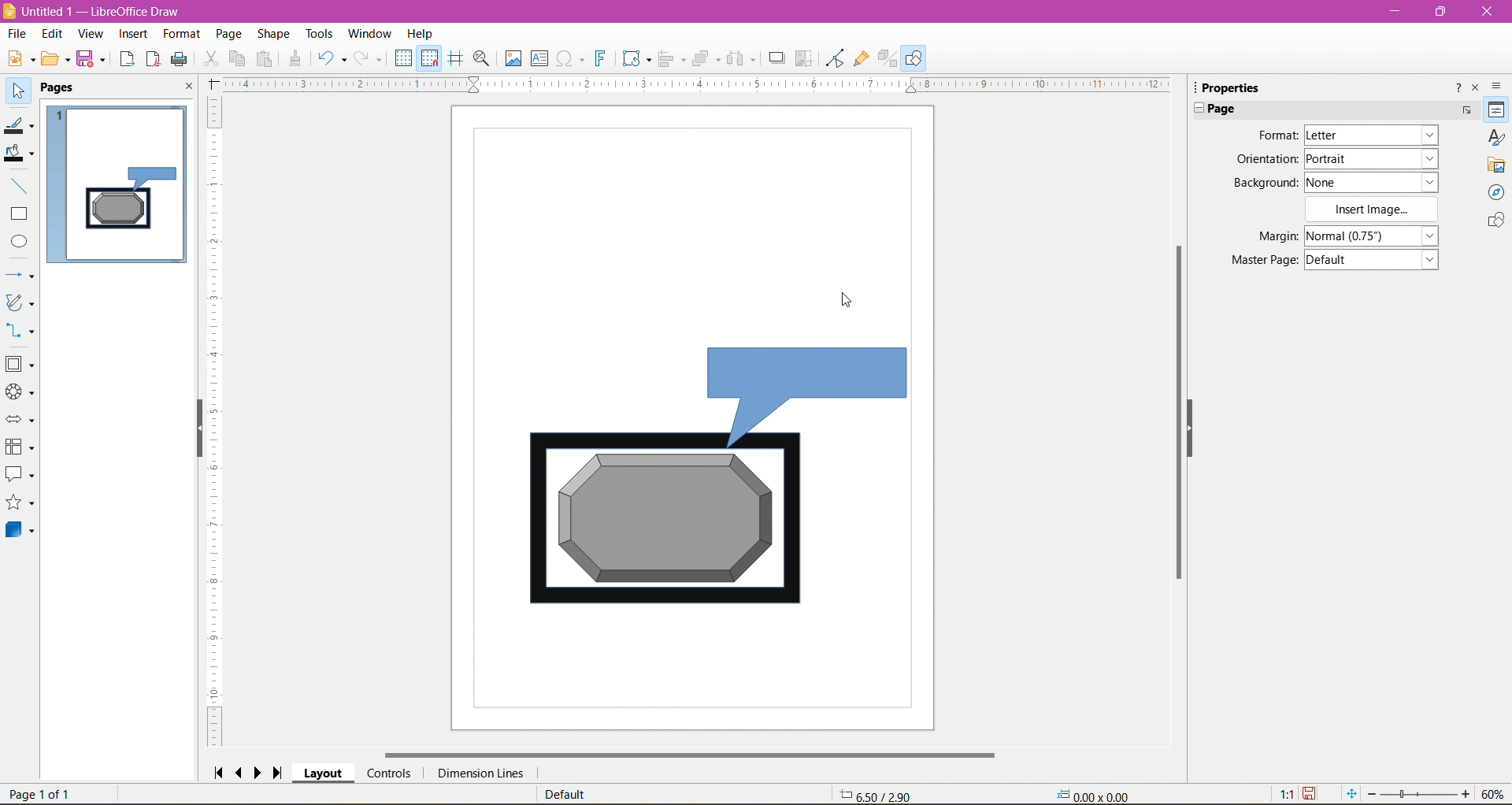  Describe the element at coordinates (539, 58) in the screenshot. I see `Insert Textbox` at that location.